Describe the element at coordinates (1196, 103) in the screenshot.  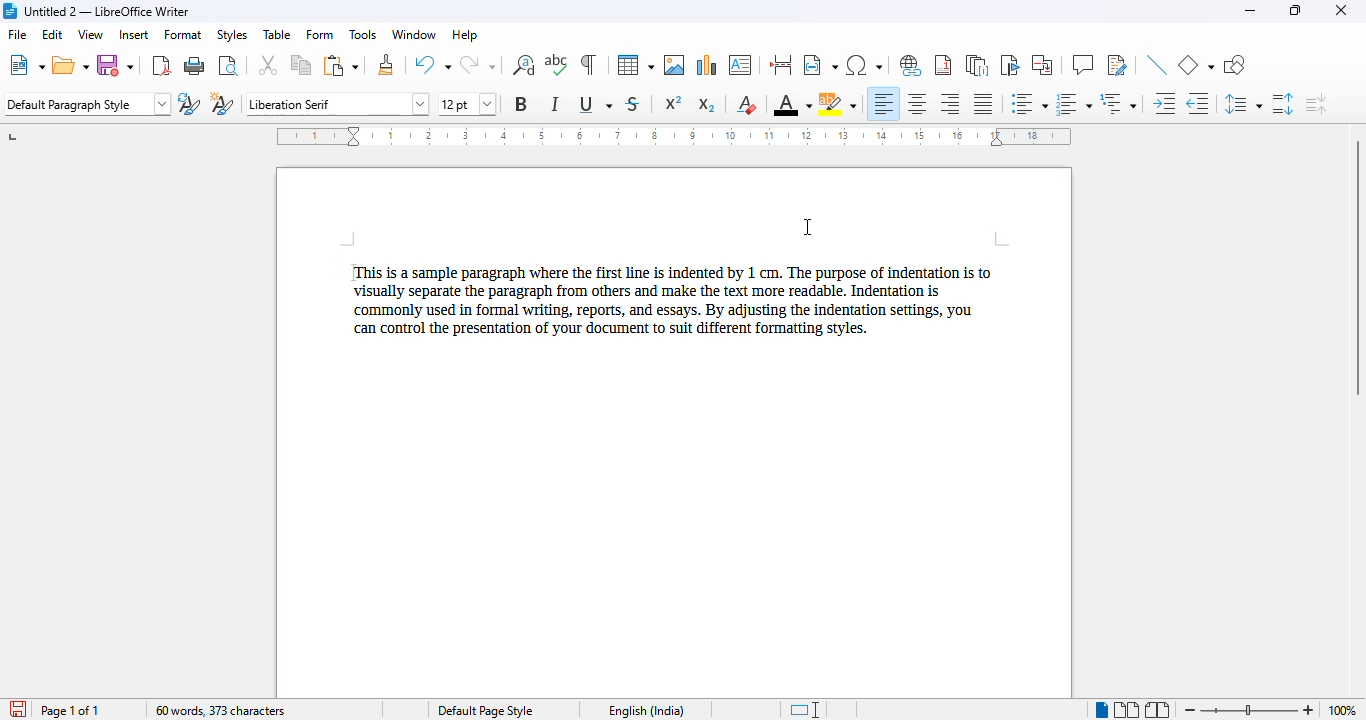
I see `decrease indent` at that location.